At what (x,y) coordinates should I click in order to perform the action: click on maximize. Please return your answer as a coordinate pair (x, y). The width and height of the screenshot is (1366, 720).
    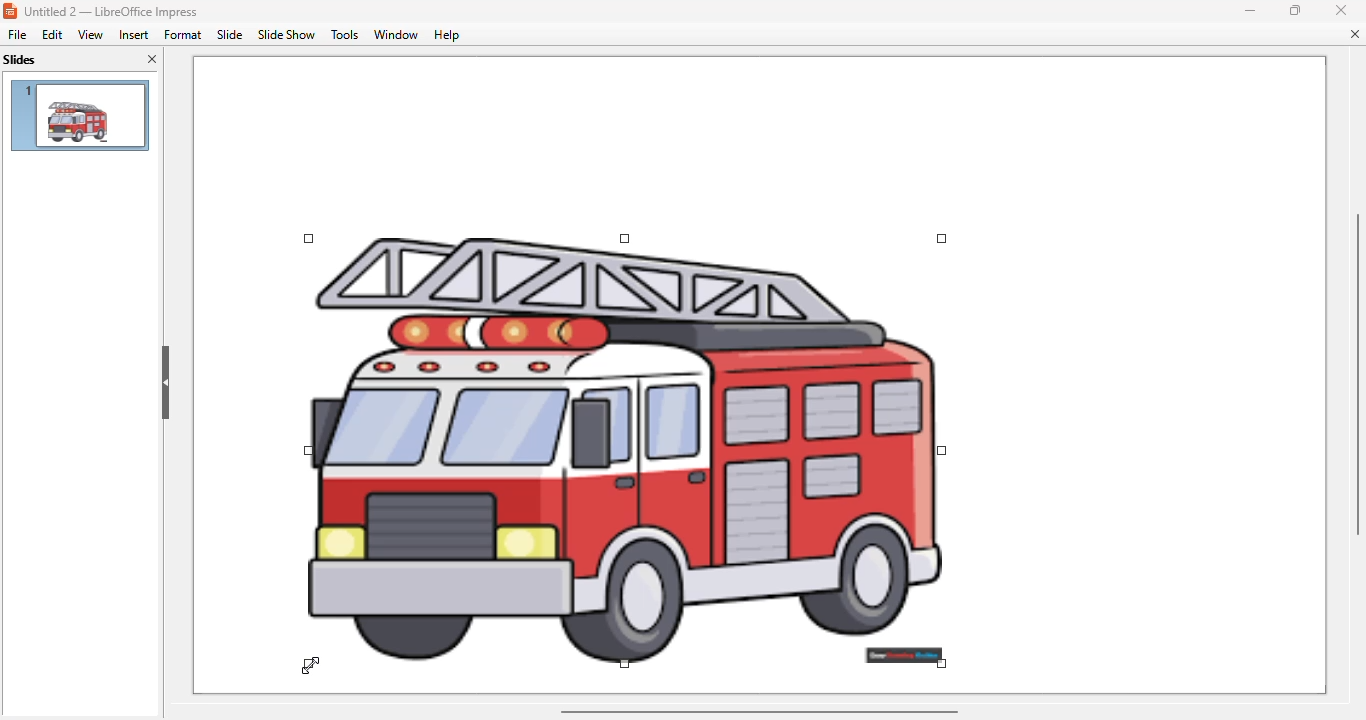
    Looking at the image, I should click on (1297, 9).